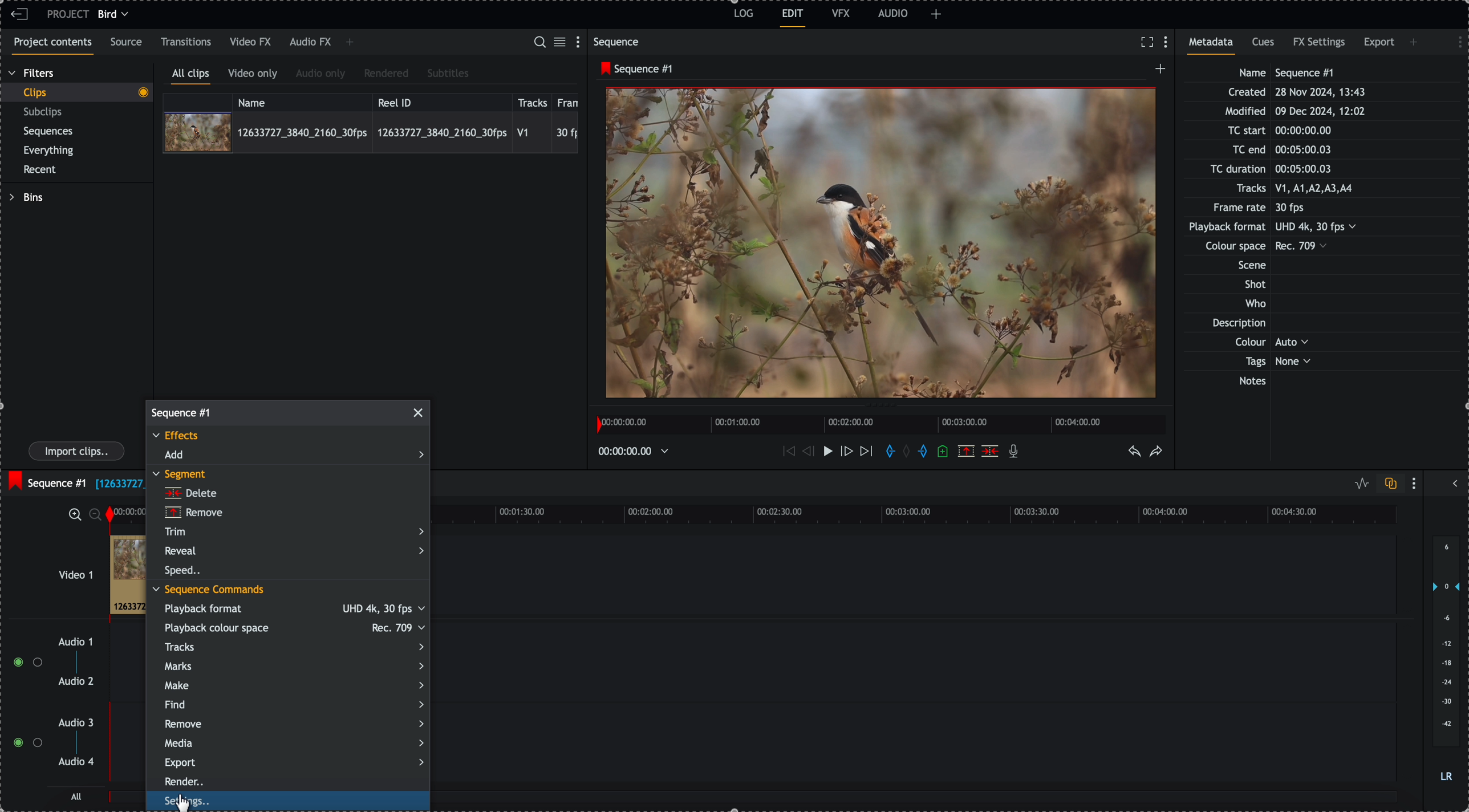  Describe the element at coordinates (990, 451) in the screenshot. I see `delete/cut` at that location.